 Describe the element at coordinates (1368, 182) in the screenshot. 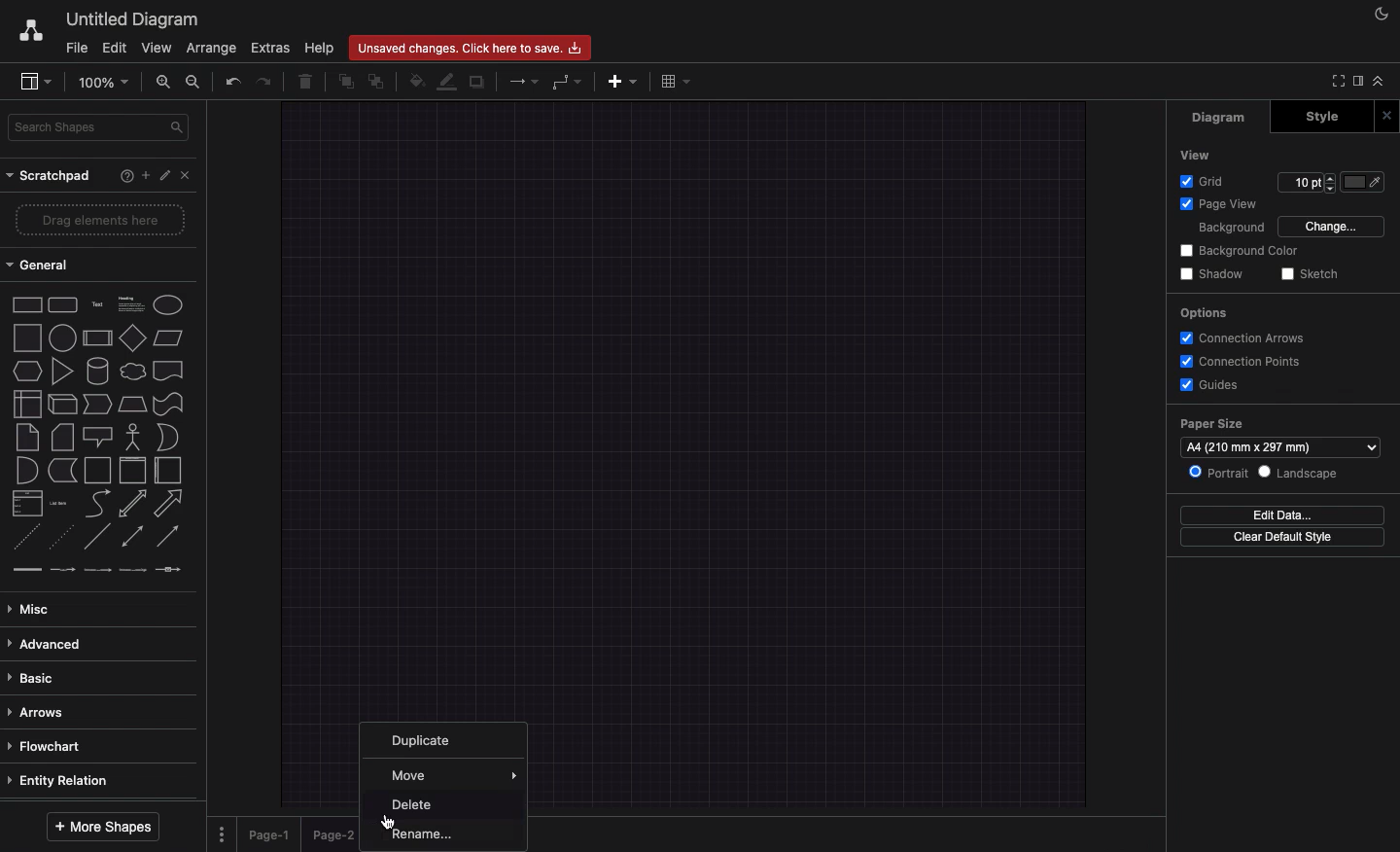

I see `Fill color` at that location.